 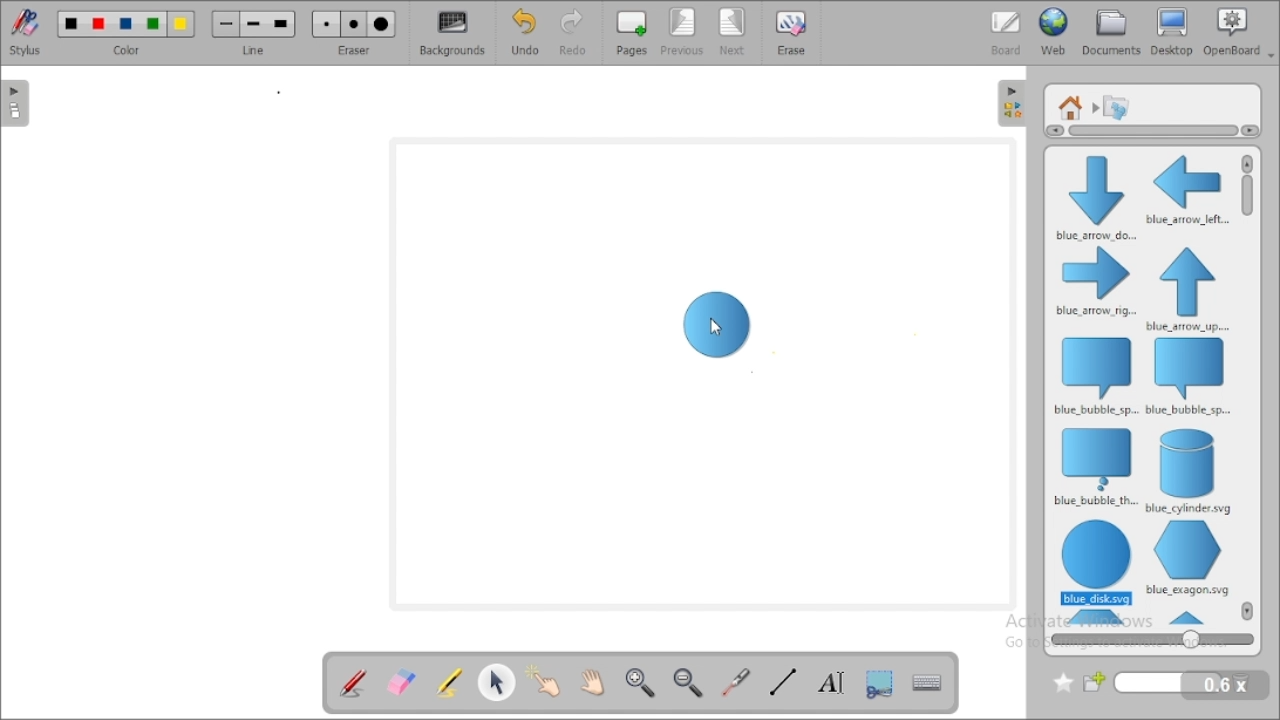 I want to click on add to favorites, so click(x=1063, y=683).